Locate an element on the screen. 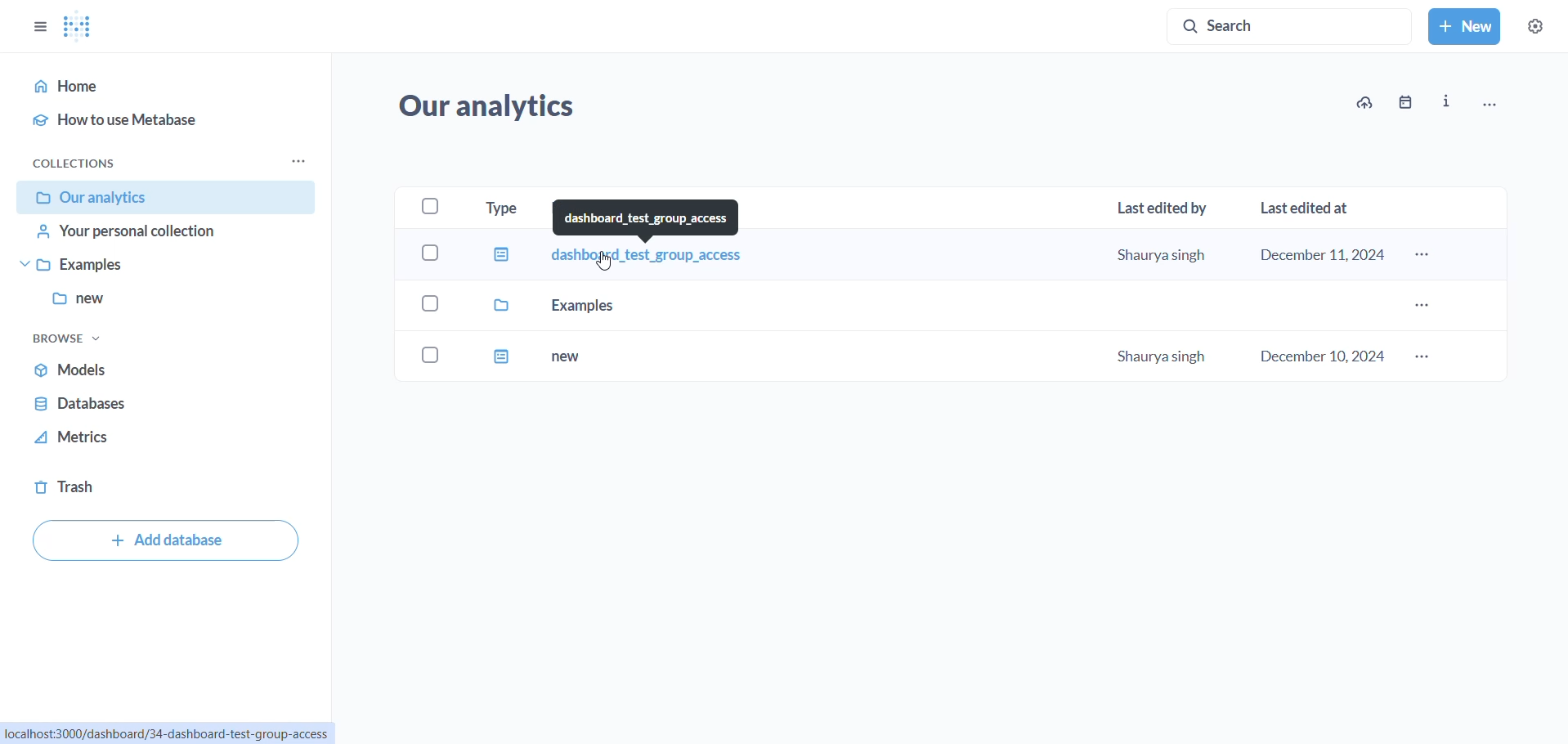 Image resolution: width=1568 pixels, height=744 pixels. Our analytics is located at coordinates (510, 113).